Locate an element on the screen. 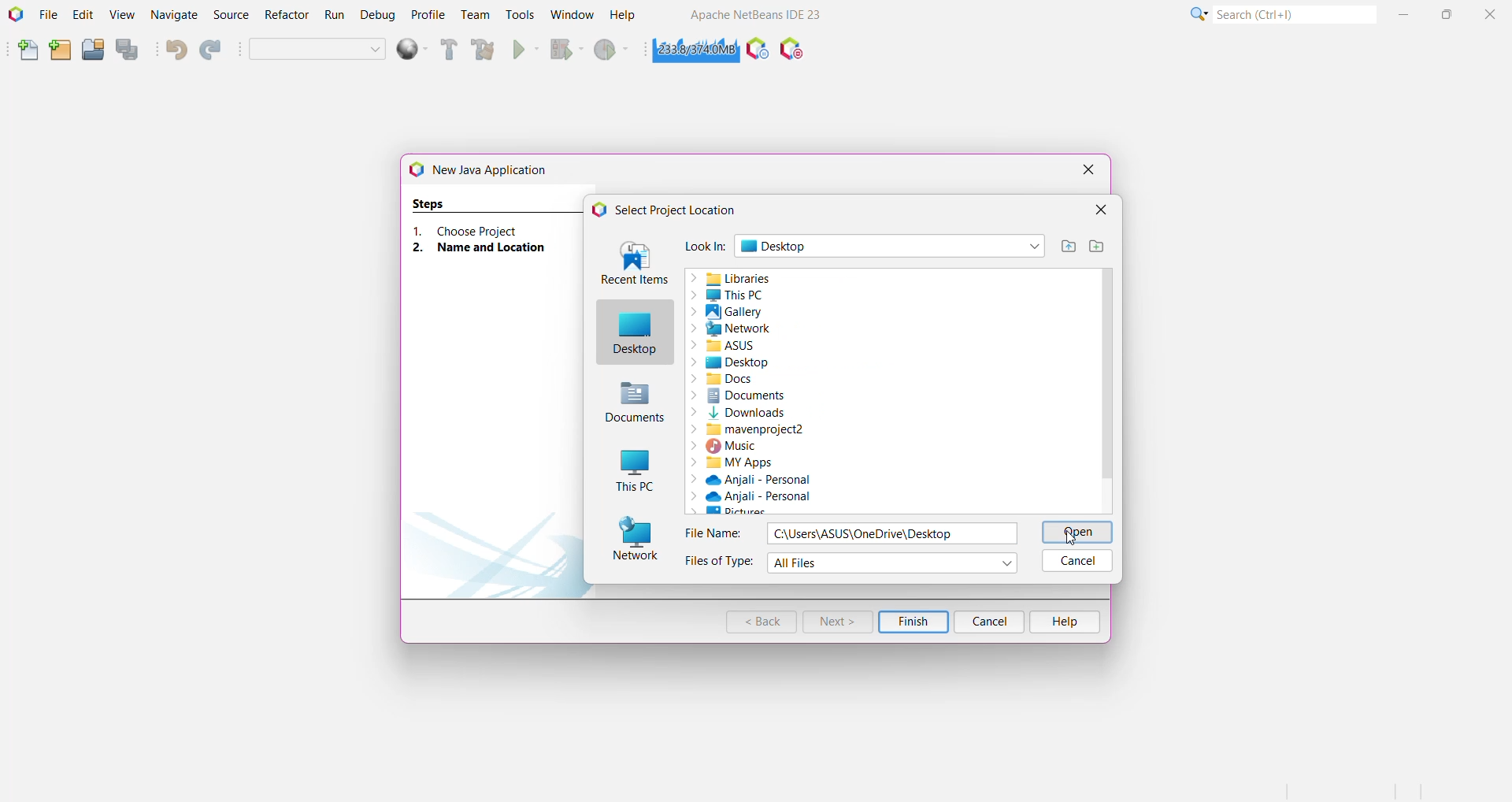  Profile Project is located at coordinates (613, 50).